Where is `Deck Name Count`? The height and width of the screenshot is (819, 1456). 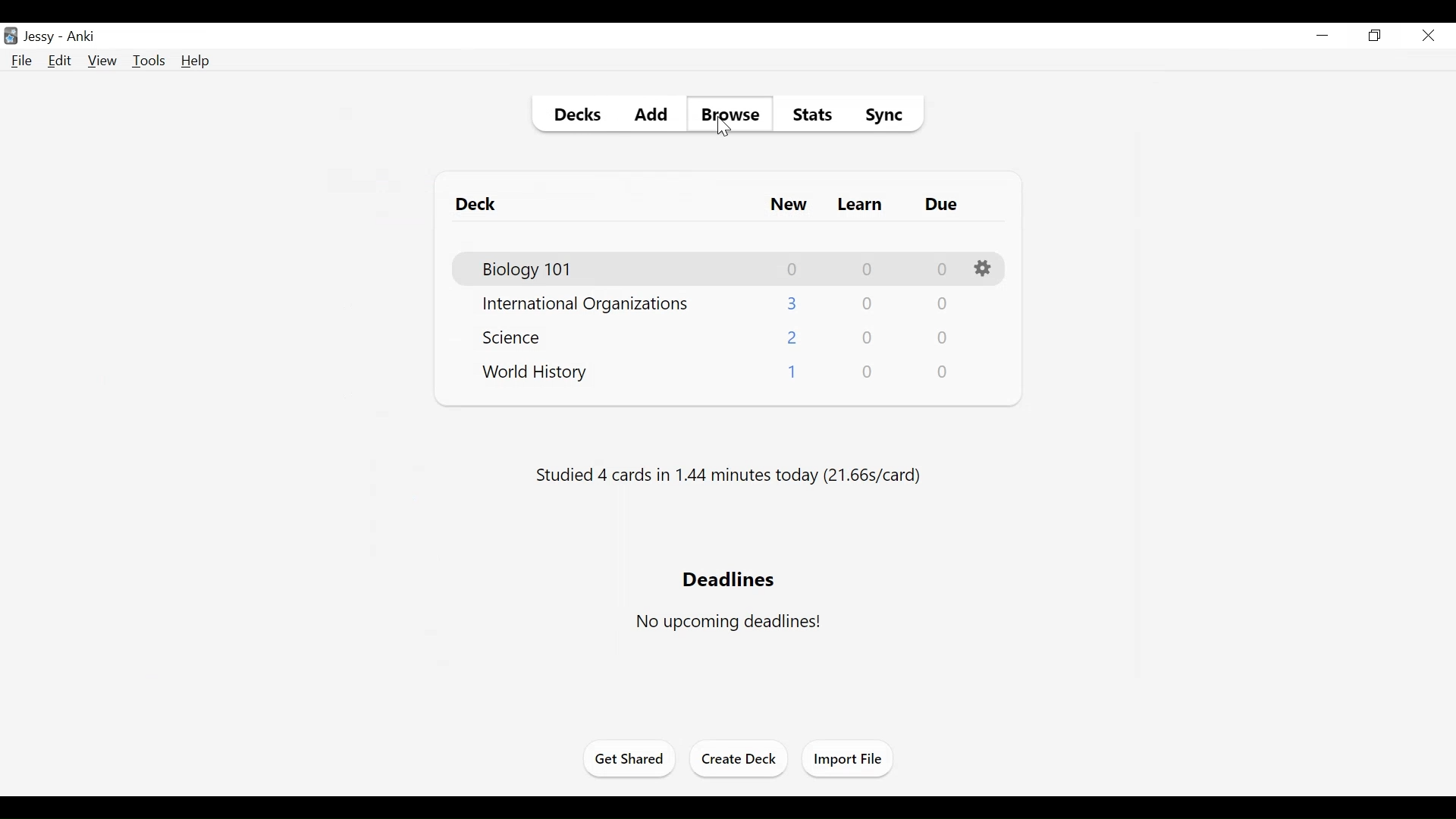 Deck Name Count is located at coordinates (591, 306).